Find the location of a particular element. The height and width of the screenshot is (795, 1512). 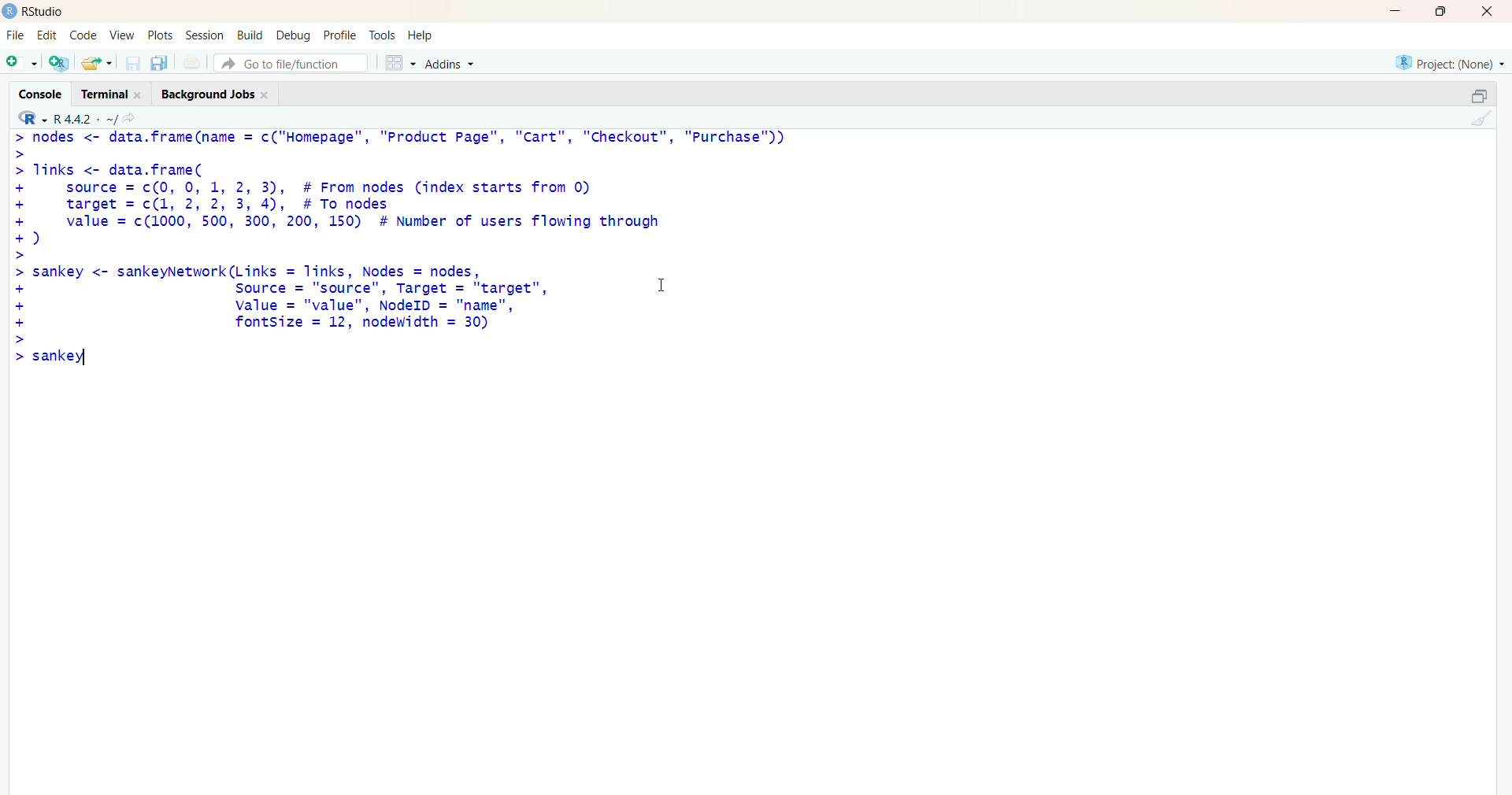

debug is located at coordinates (291, 35).